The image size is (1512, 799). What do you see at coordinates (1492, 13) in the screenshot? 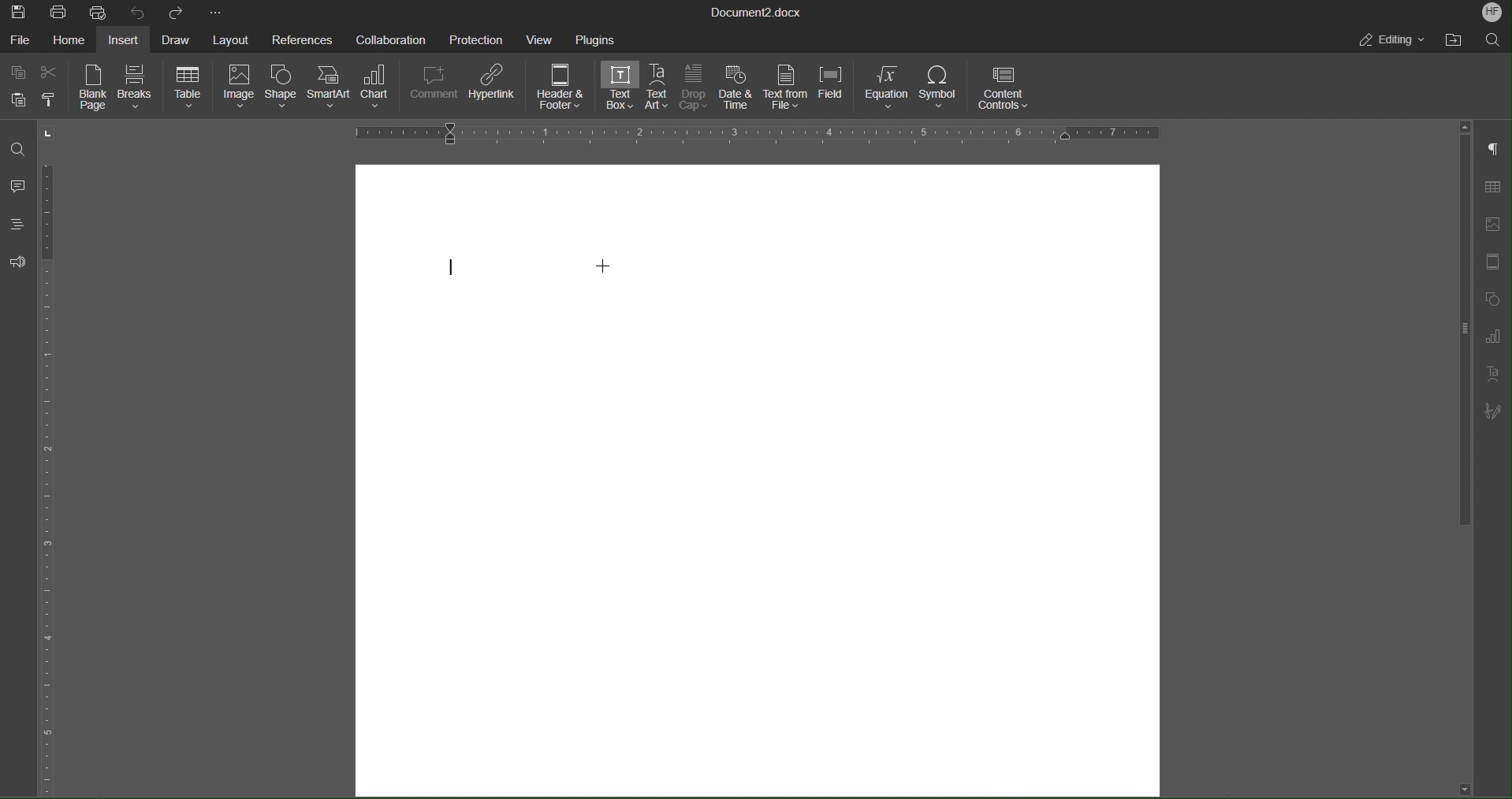
I see `Account` at bounding box center [1492, 13].